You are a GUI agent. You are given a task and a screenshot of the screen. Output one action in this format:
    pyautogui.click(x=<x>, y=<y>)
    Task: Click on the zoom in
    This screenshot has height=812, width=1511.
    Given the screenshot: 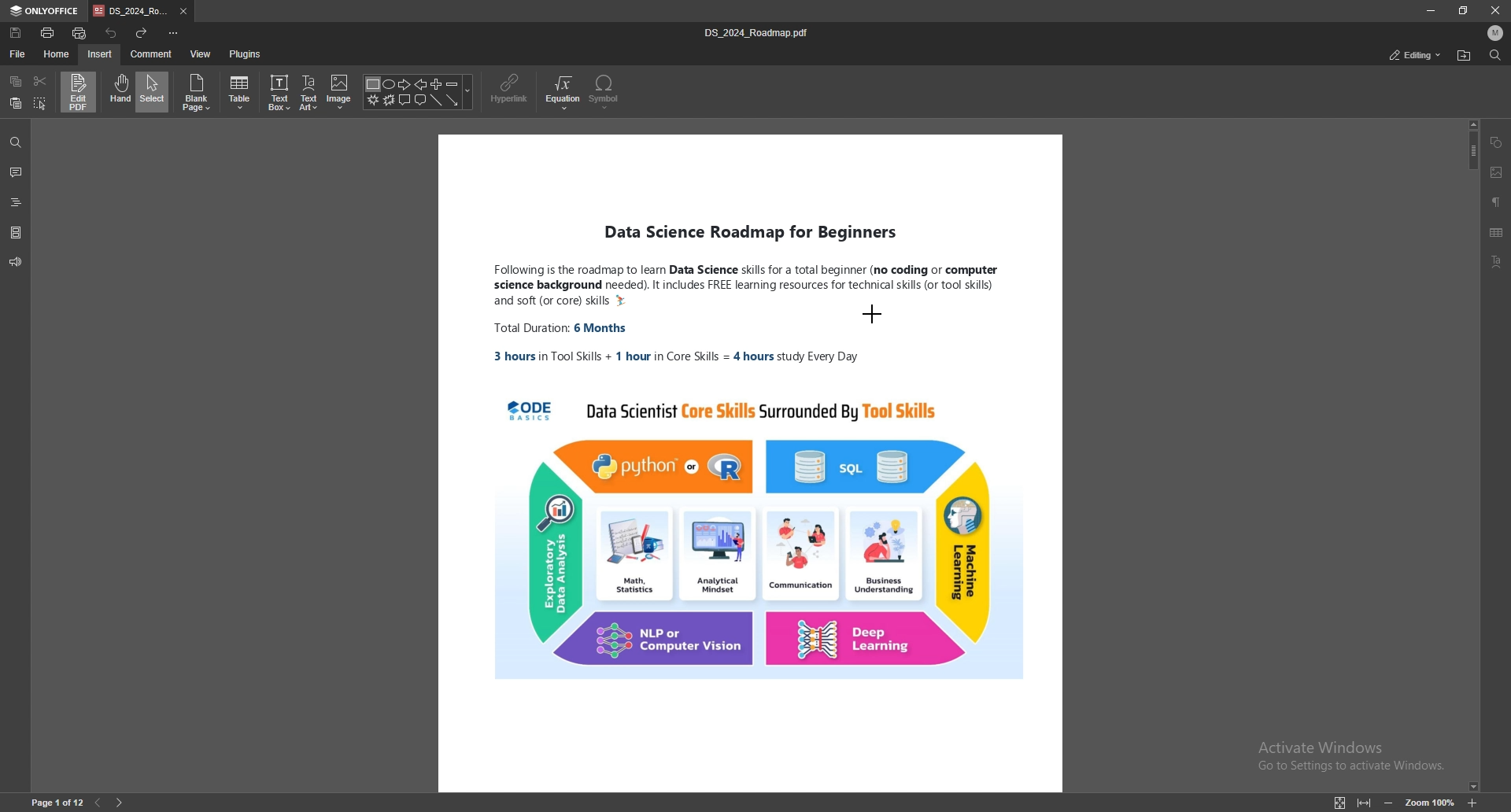 What is the action you would take?
    pyautogui.click(x=1472, y=804)
    